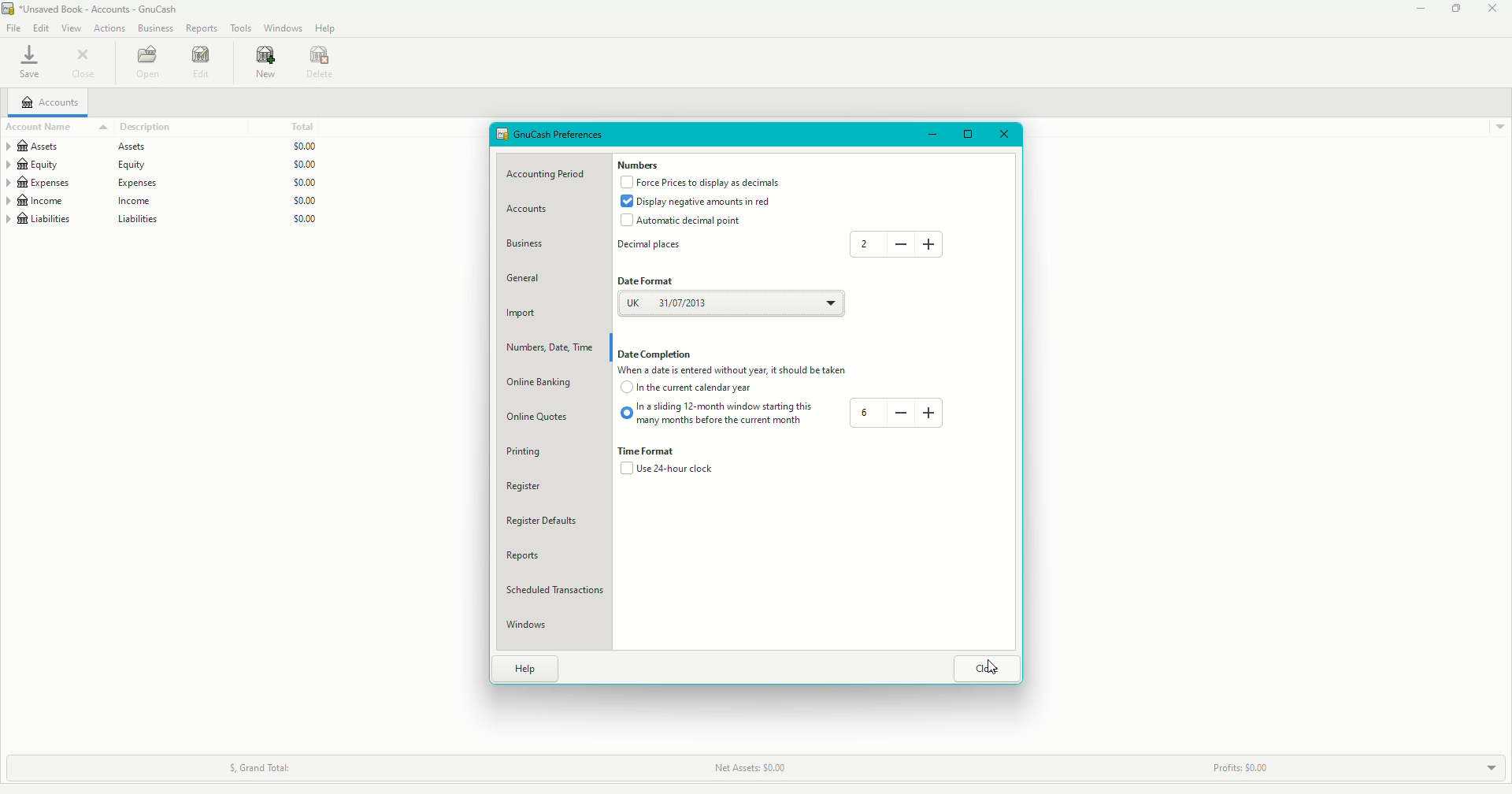  I want to click on Business, so click(155, 28).